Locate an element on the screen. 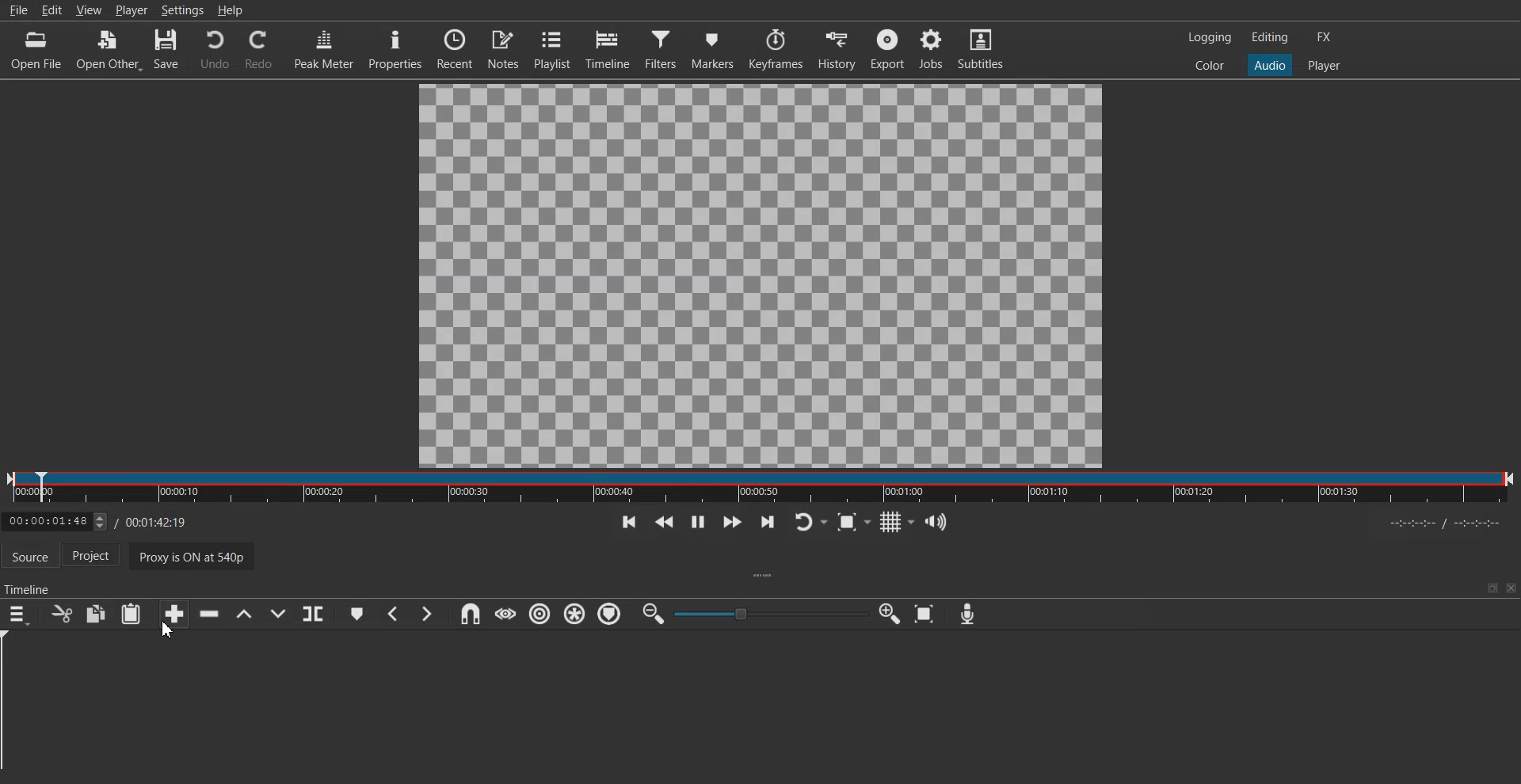 Image resolution: width=1521 pixels, height=784 pixels. Project is located at coordinates (97, 557).